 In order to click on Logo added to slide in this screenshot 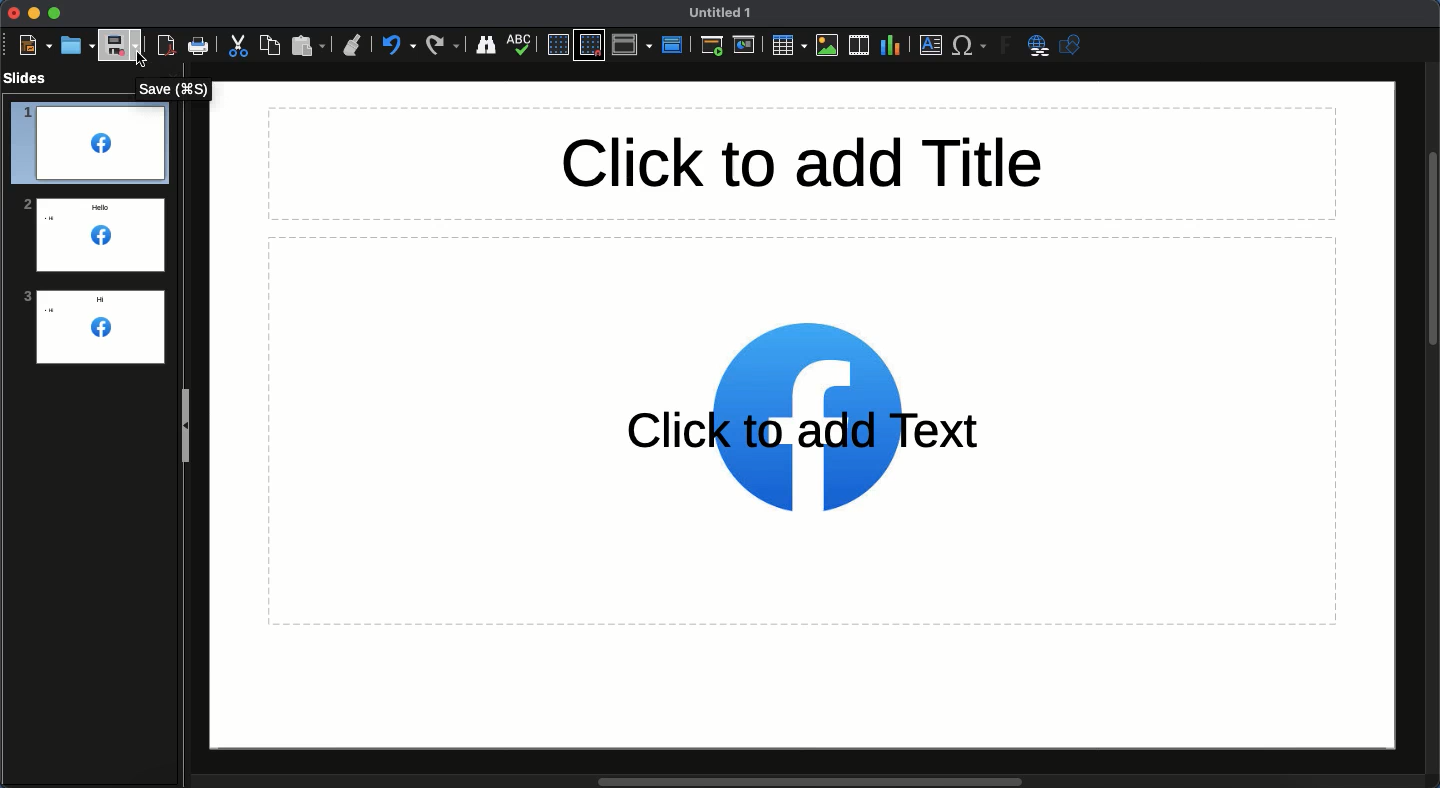, I will do `click(805, 490)`.